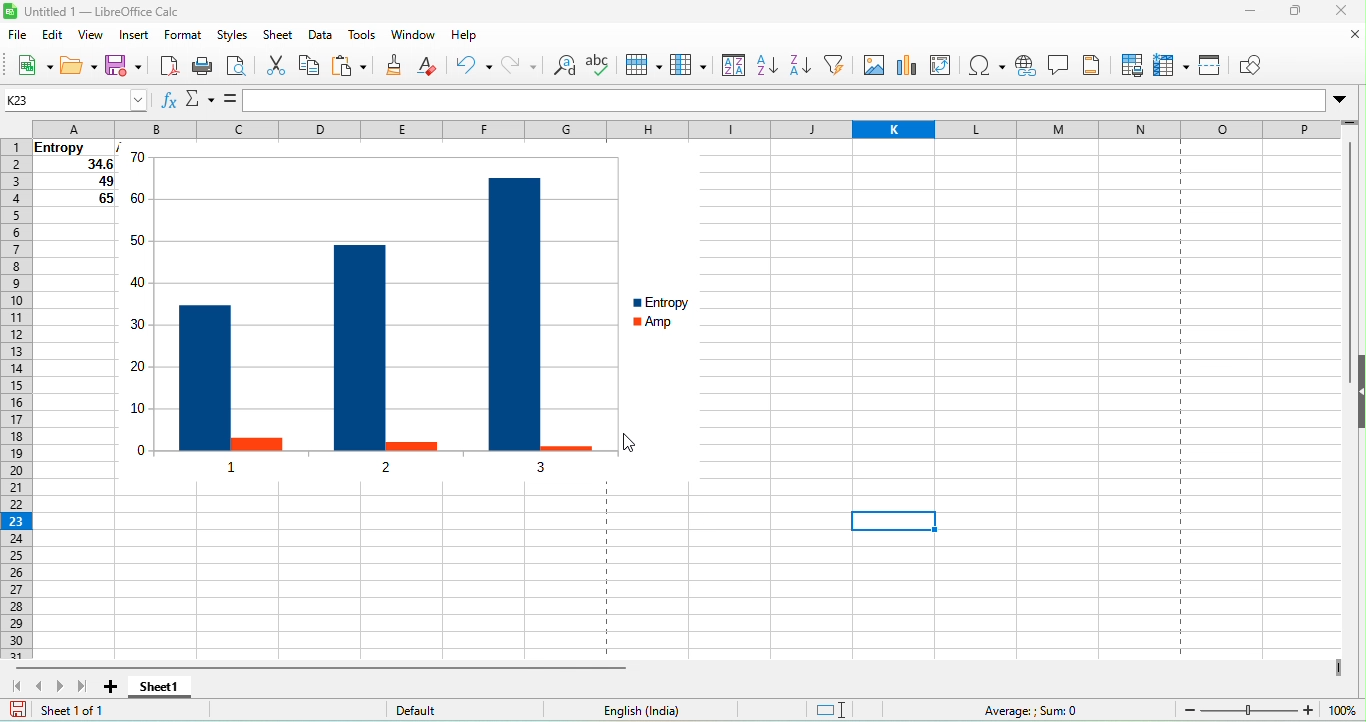  I want to click on height, so click(1357, 393).